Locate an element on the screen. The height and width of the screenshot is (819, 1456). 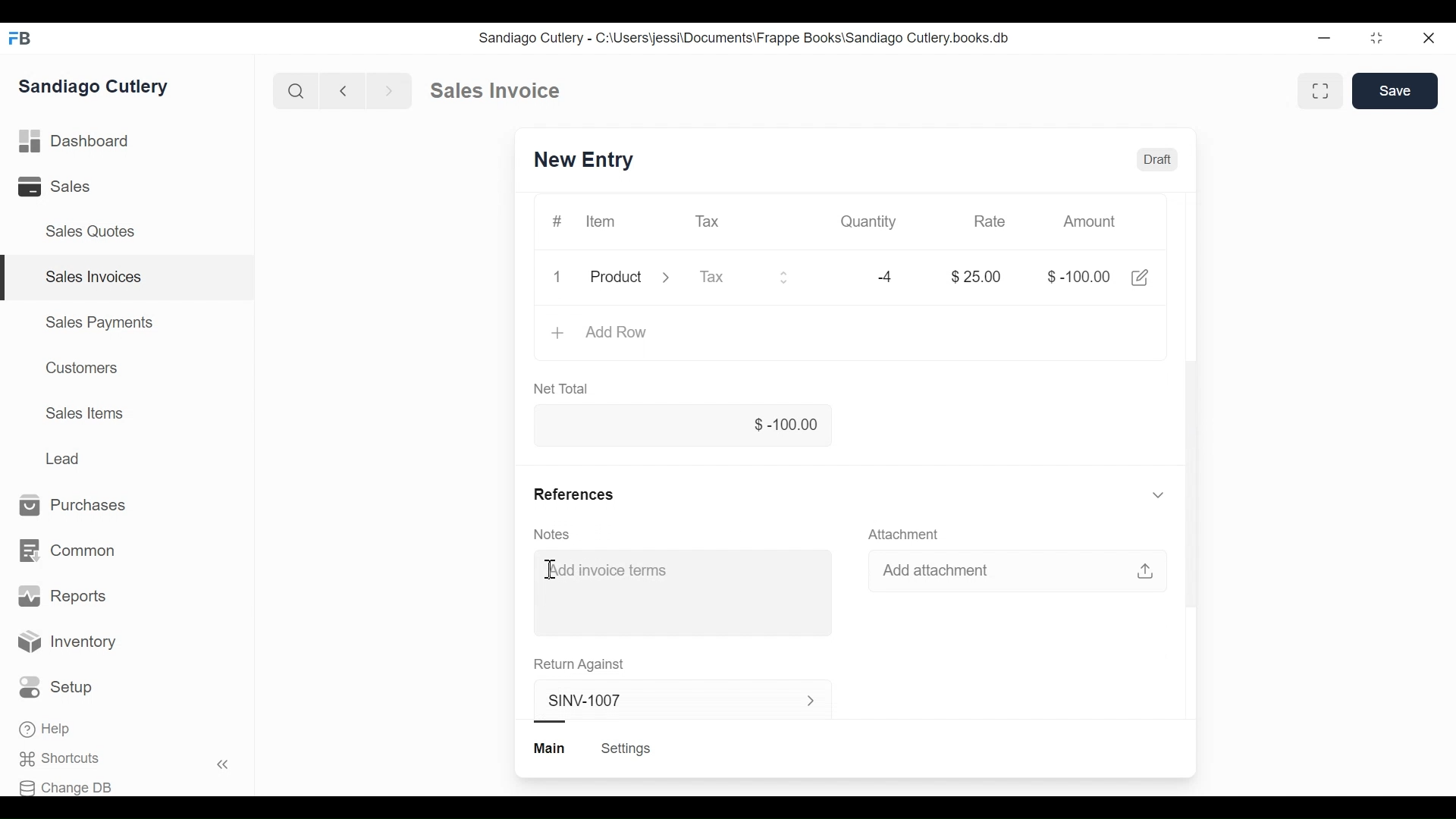
Quantity is located at coordinates (871, 221).